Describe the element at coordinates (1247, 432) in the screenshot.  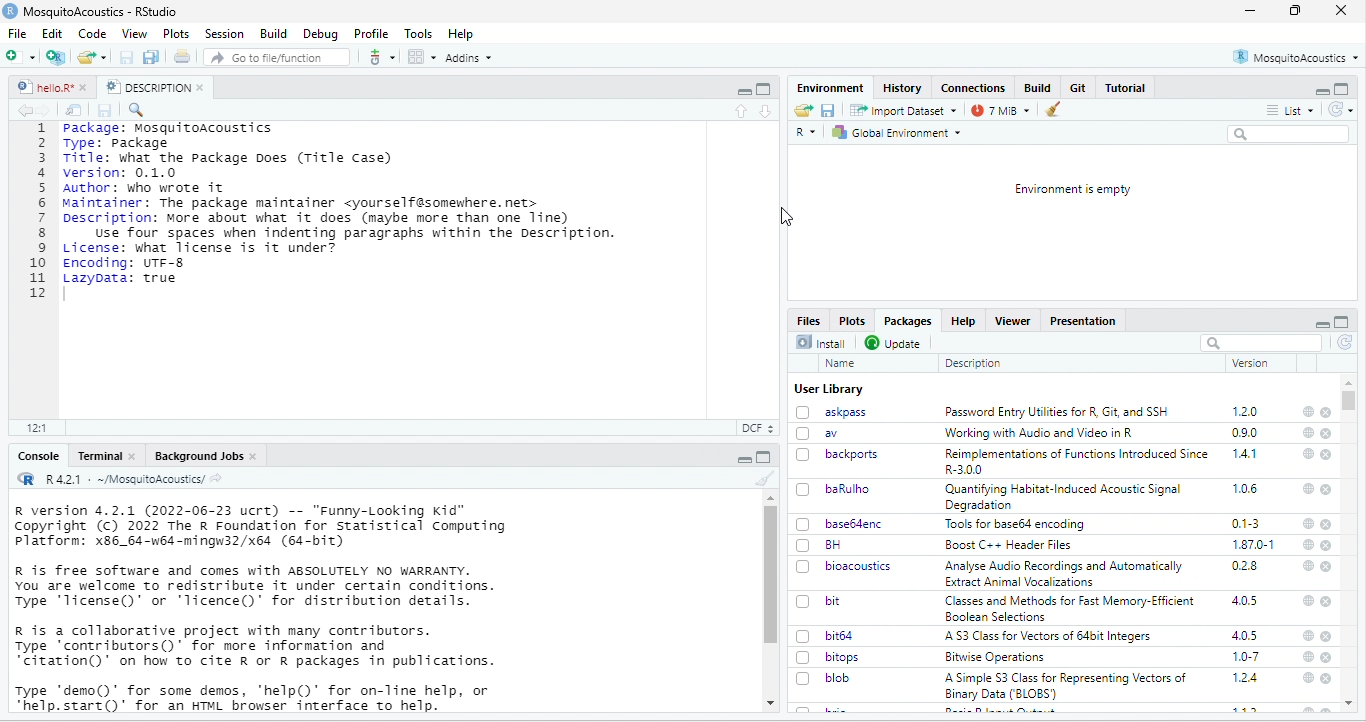
I see `0.9.0` at that location.